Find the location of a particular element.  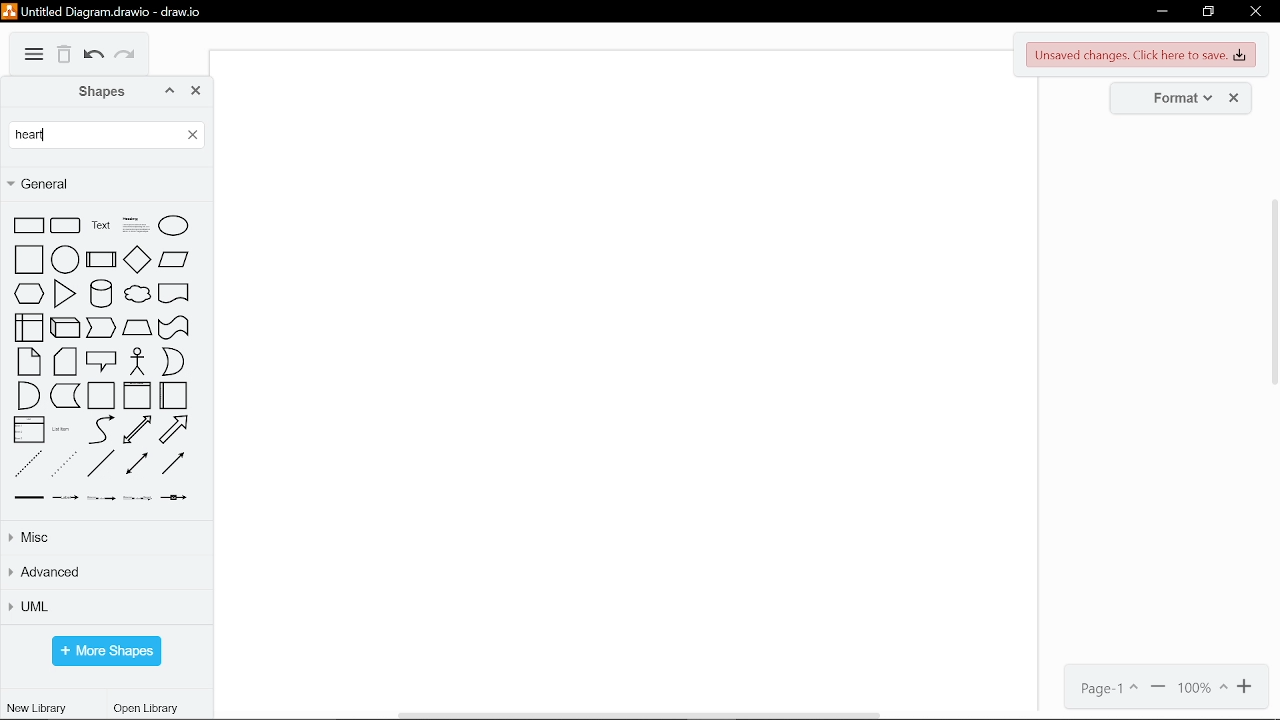

callout is located at coordinates (101, 363).